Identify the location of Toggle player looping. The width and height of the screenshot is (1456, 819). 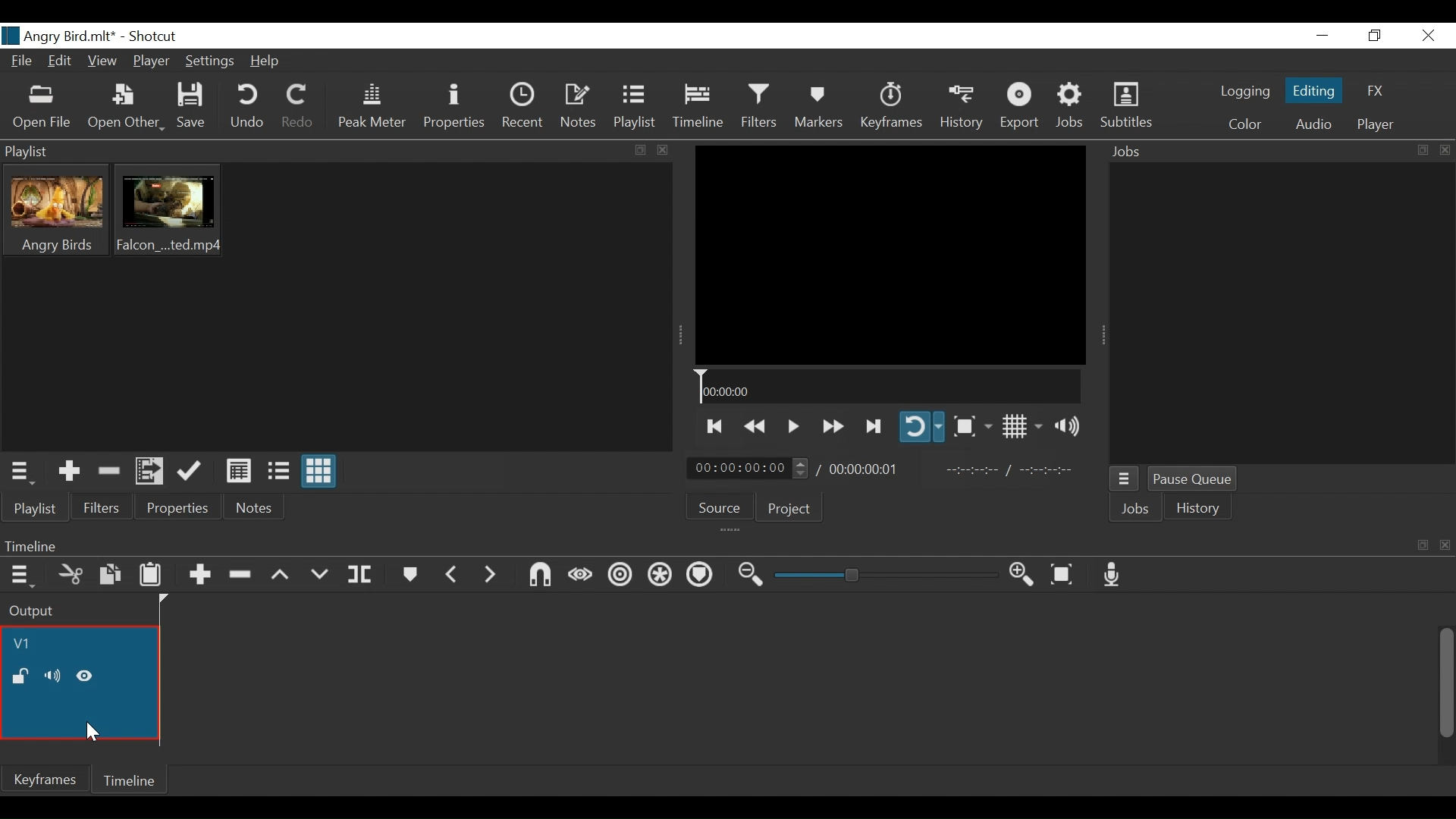
(923, 427).